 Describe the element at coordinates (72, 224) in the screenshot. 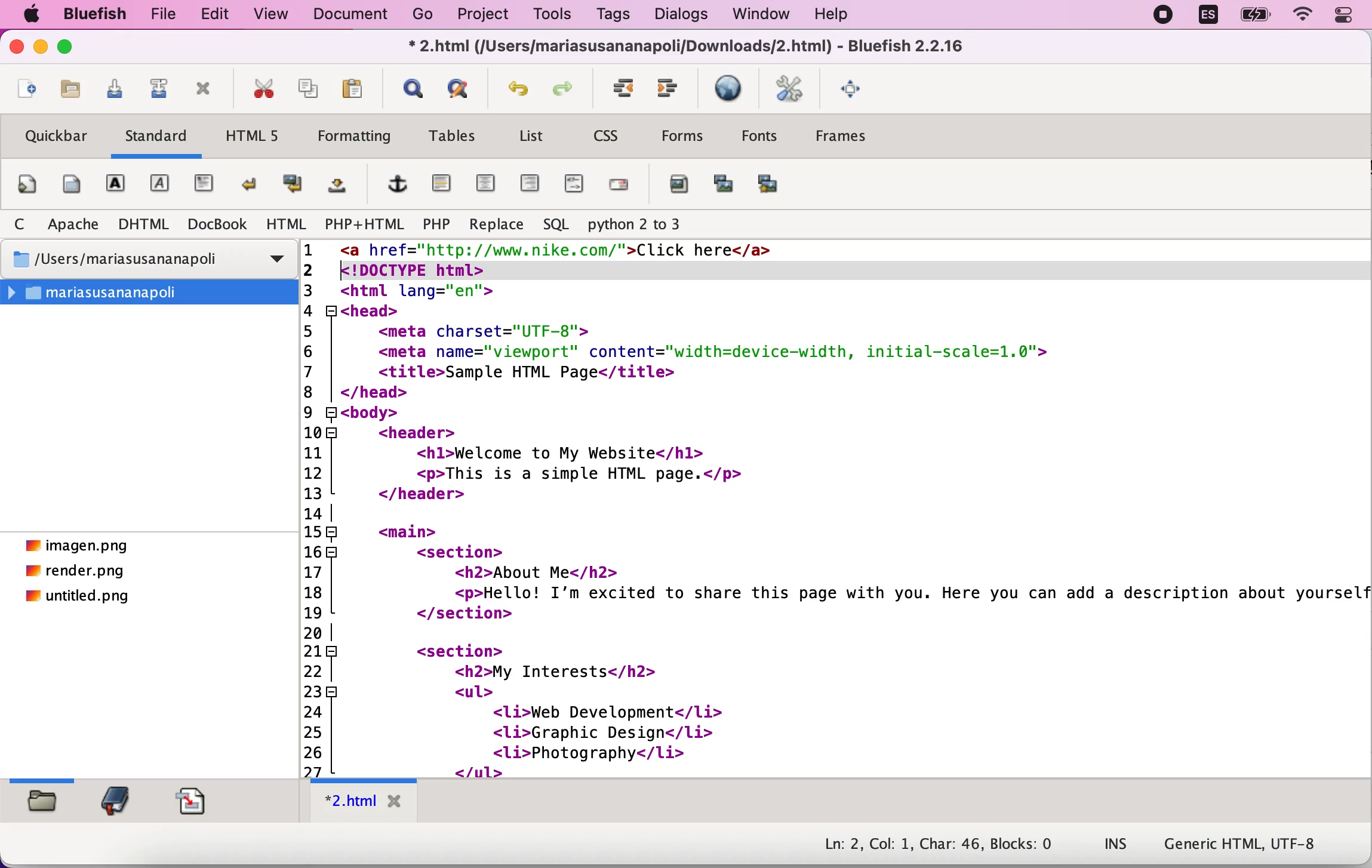

I see `apache` at that location.